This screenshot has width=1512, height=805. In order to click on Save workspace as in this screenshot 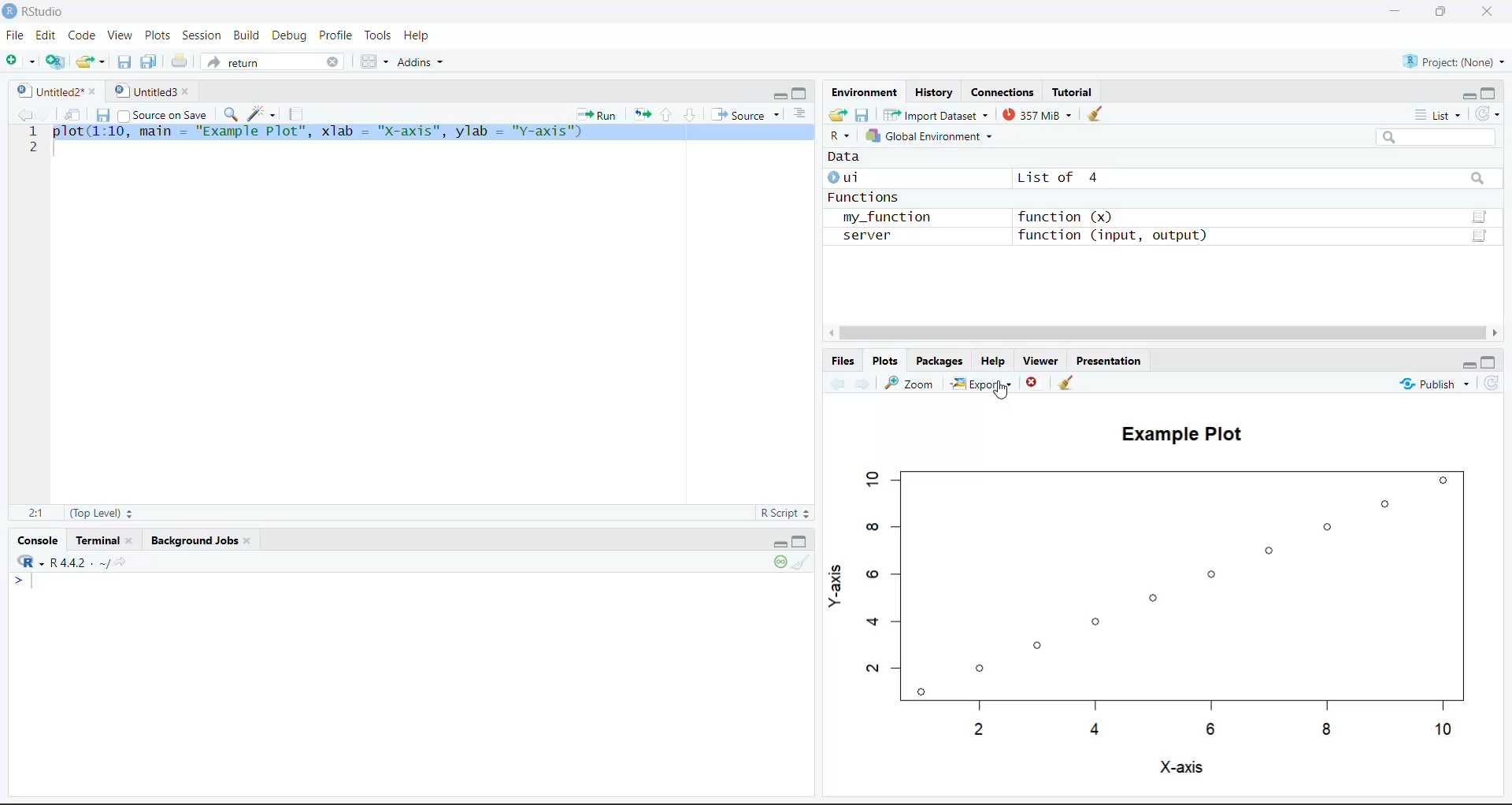, I will do `click(862, 114)`.